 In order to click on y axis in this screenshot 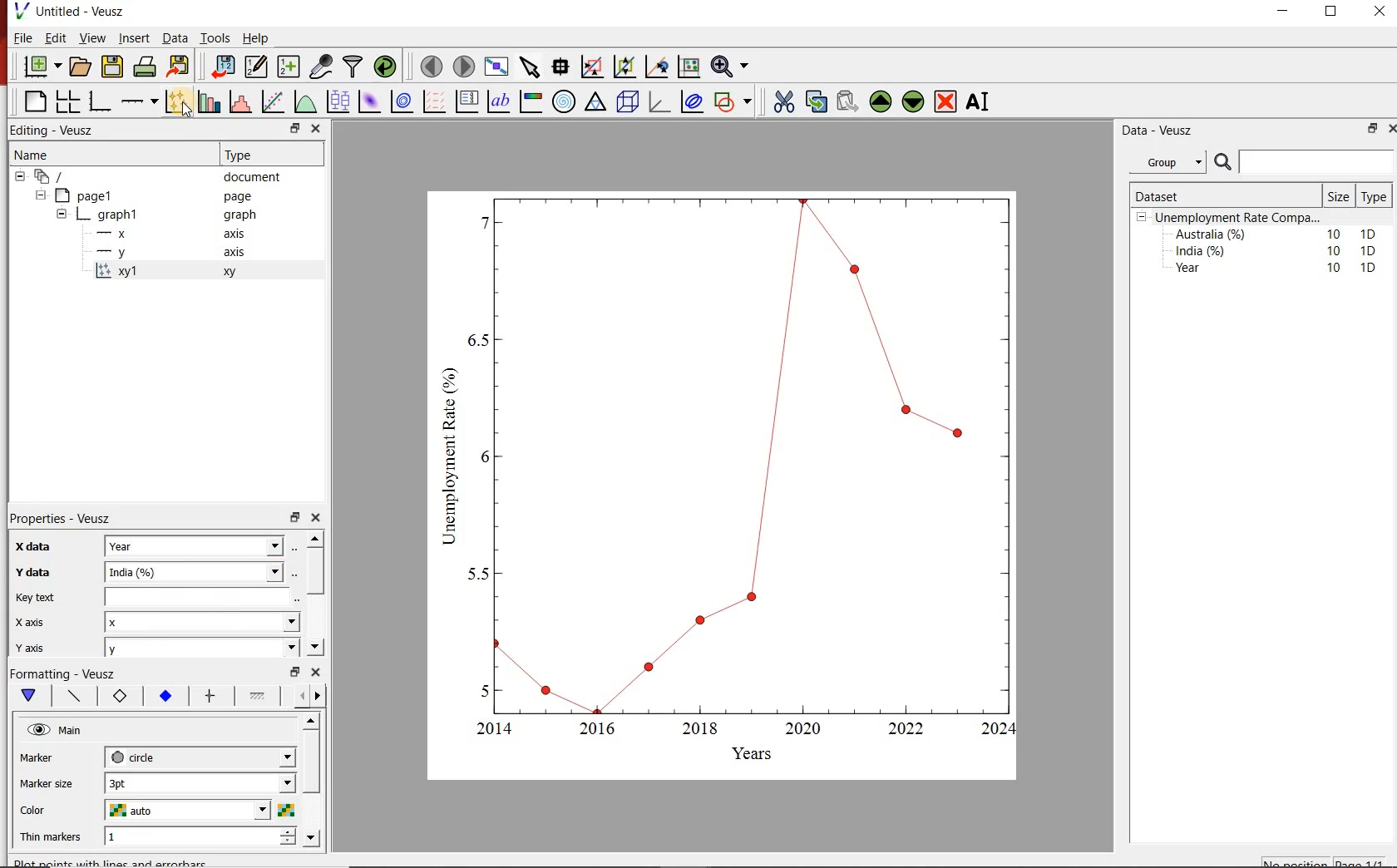, I will do `click(41, 645)`.